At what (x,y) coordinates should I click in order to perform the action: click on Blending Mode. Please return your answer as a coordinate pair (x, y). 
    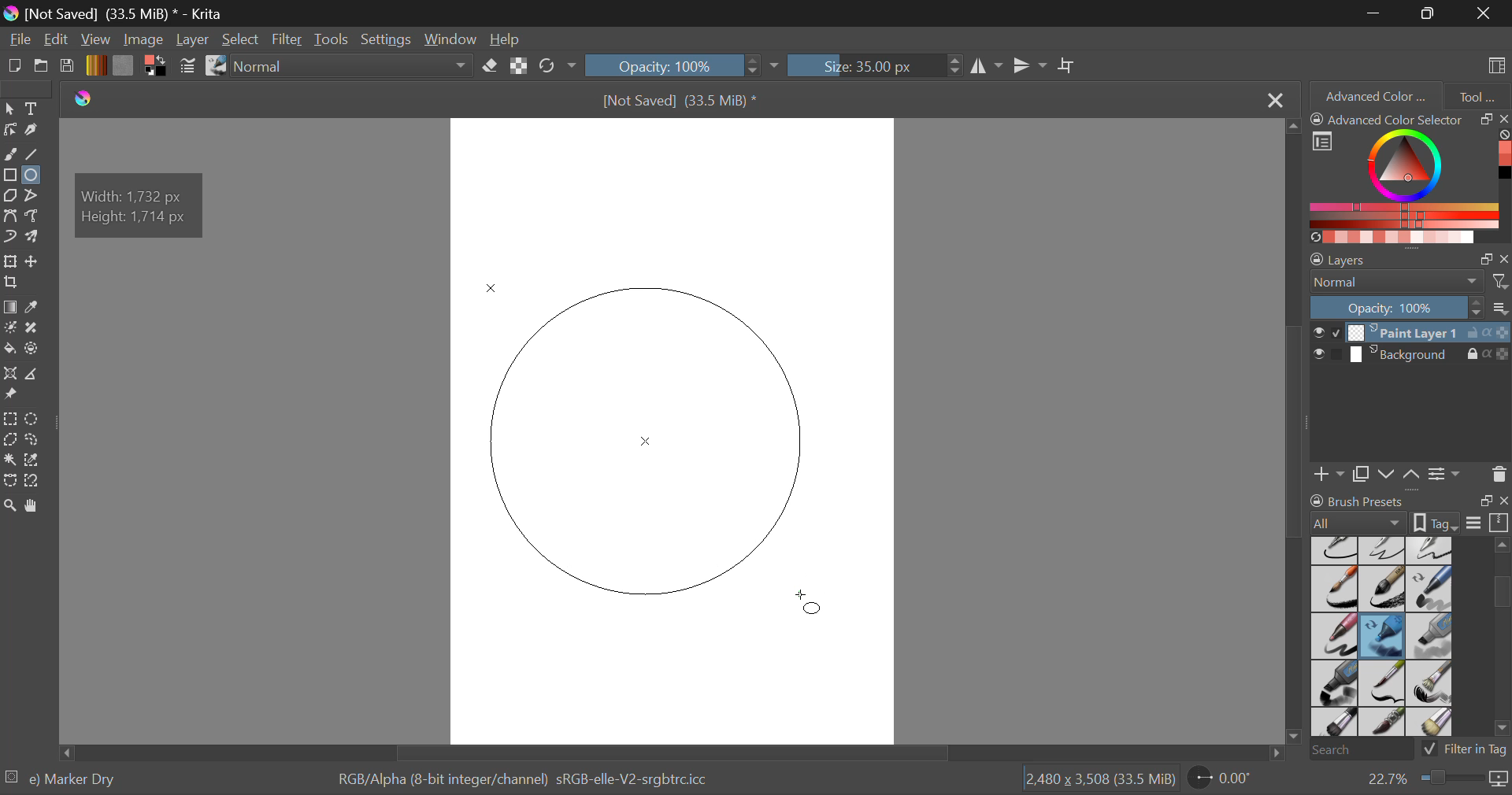
    Looking at the image, I should click on (356, 67).